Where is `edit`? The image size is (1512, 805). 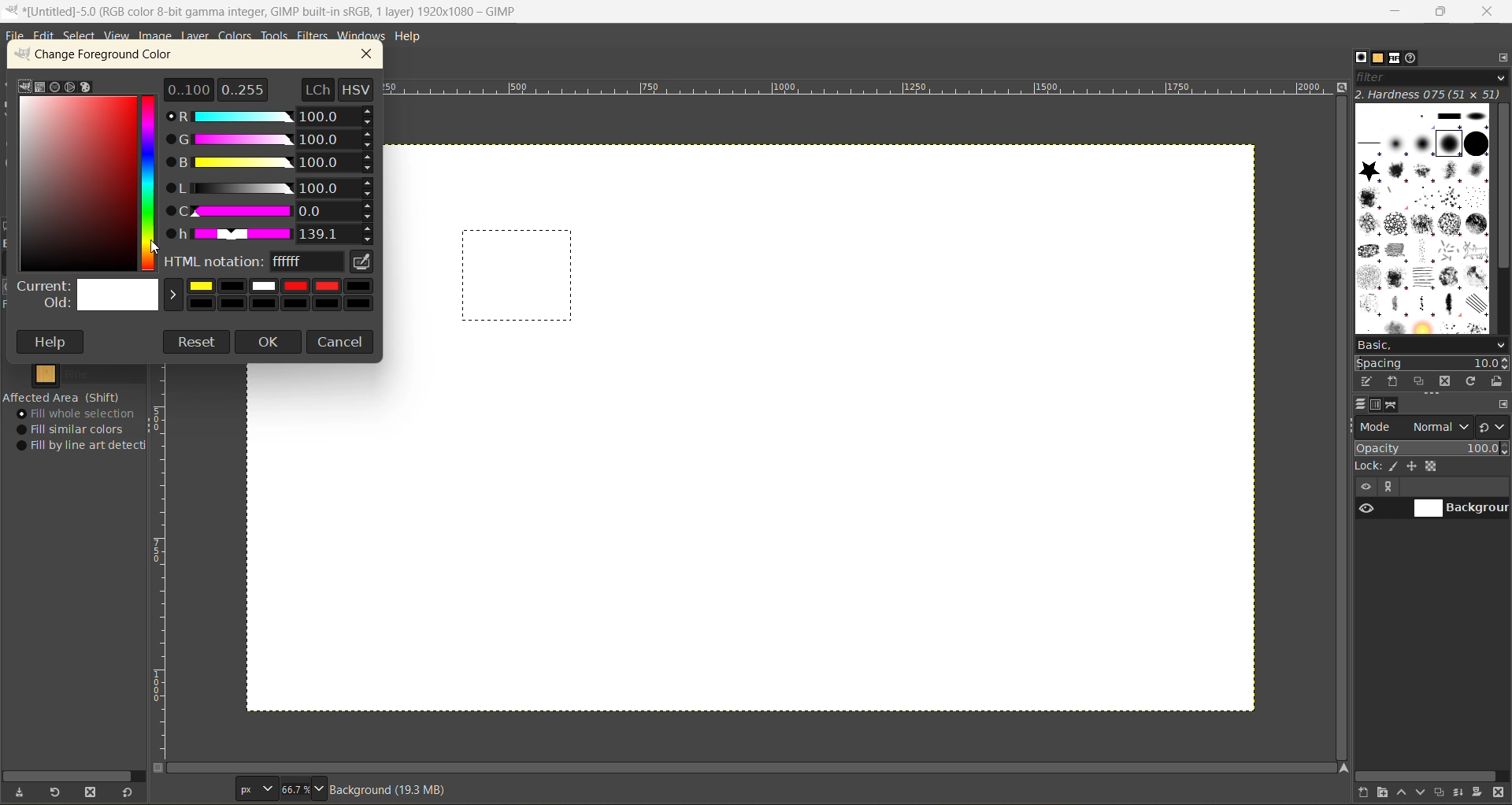 edit is located at coordinates (46, 37).